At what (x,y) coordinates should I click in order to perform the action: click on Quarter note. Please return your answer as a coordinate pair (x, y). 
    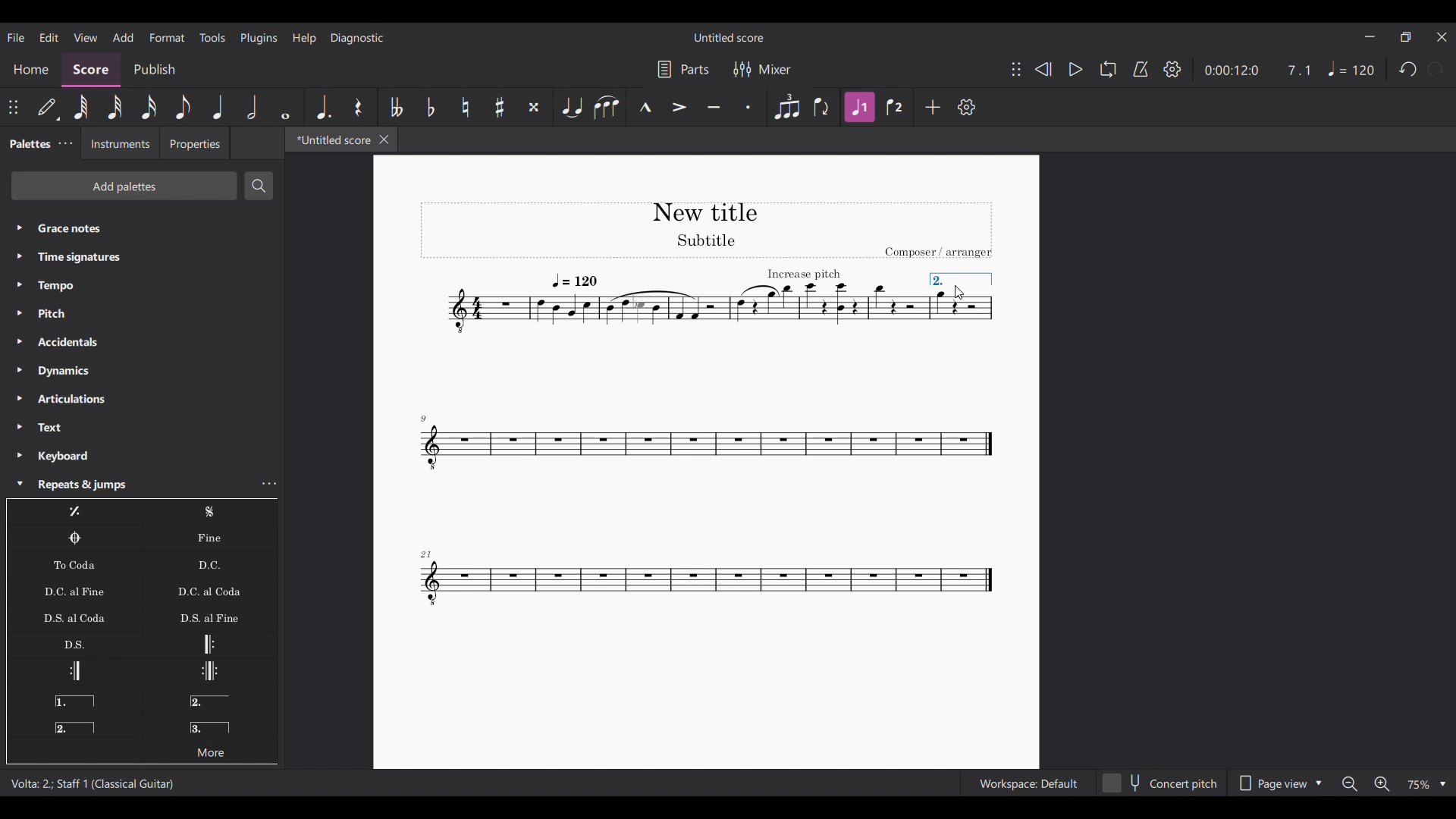
    Looking at the image, I should click on (218, 107).